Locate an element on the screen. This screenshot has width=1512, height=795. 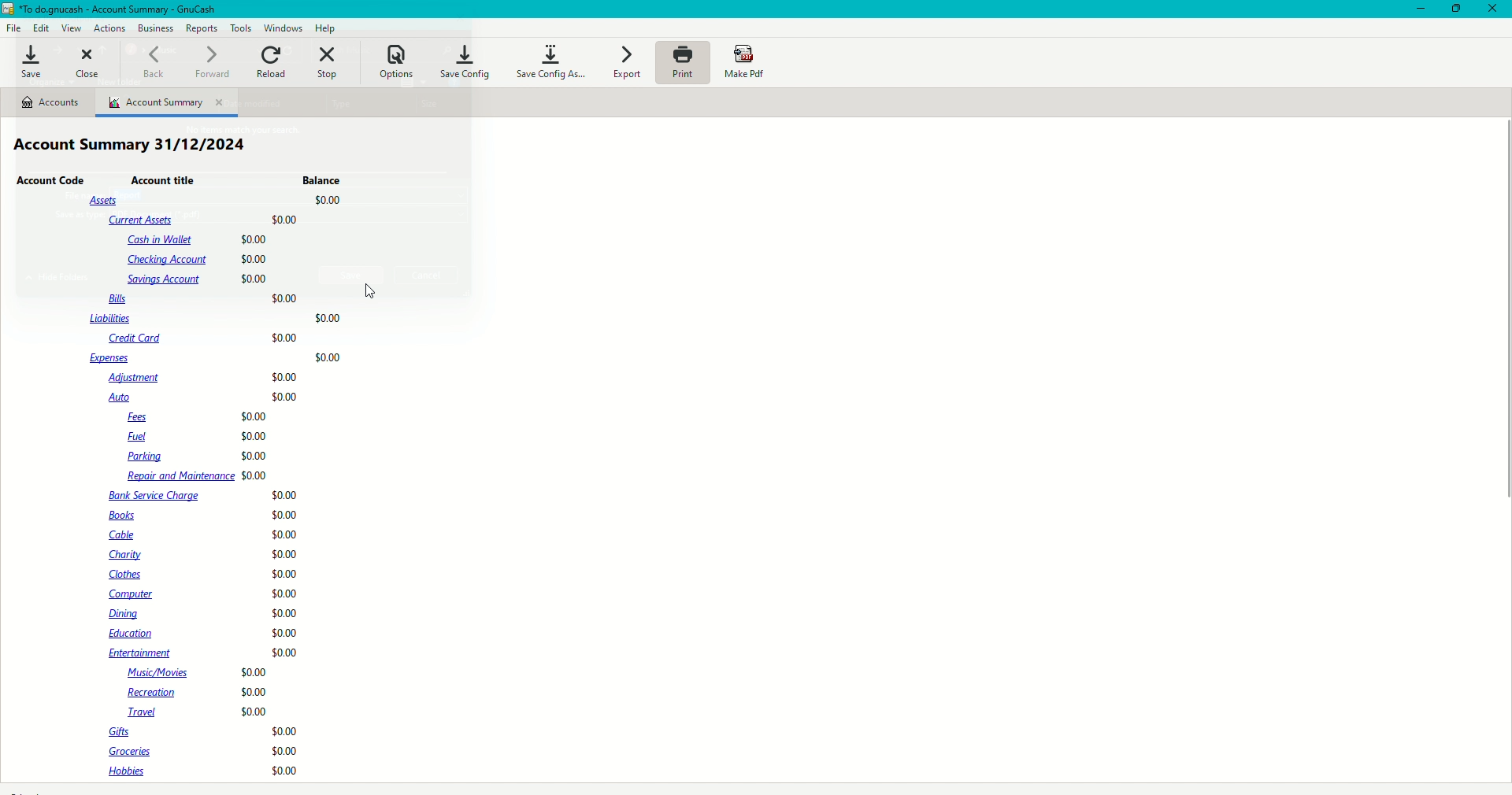
Save is located at coordinates (31, 63).